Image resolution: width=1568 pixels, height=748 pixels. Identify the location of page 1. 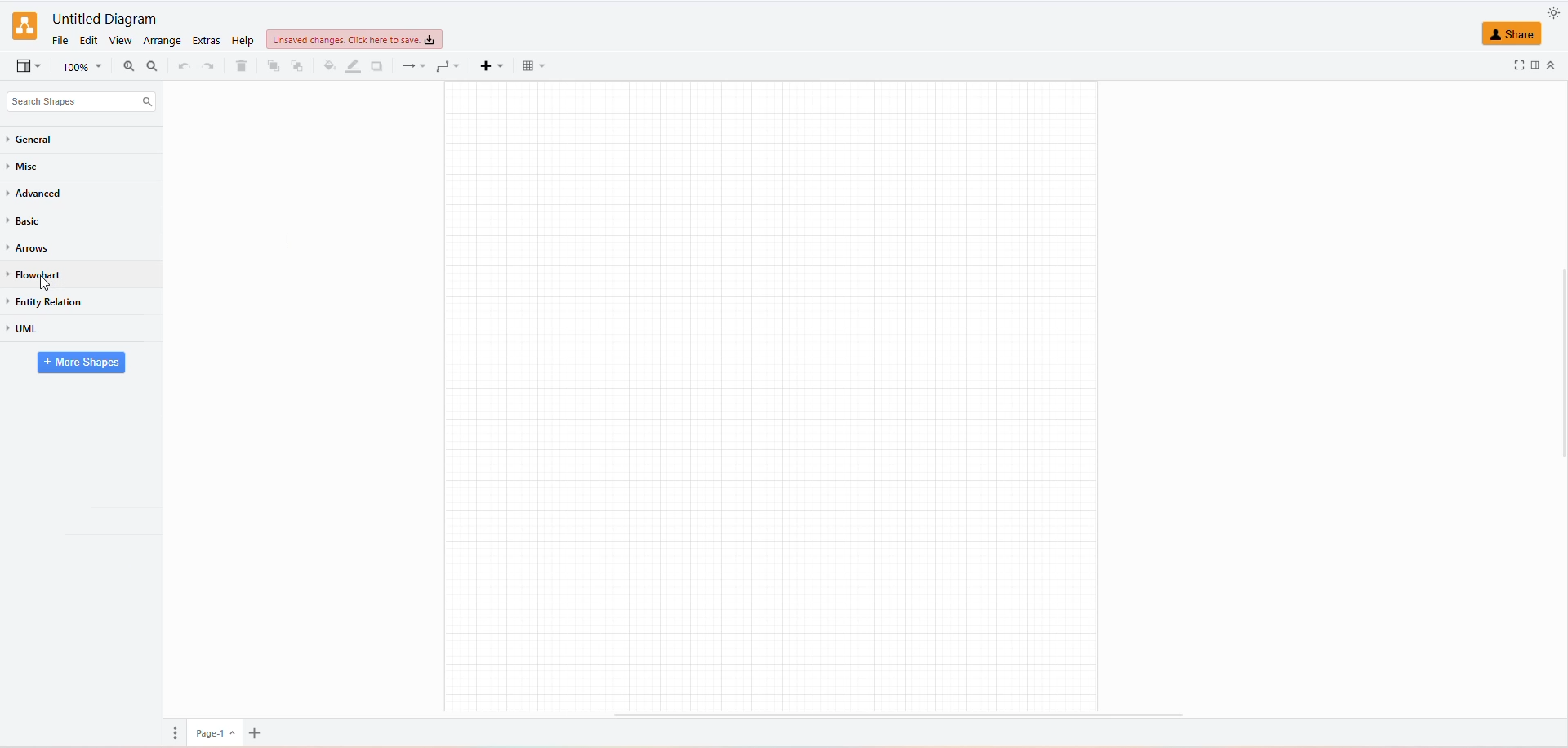
(211, 731).